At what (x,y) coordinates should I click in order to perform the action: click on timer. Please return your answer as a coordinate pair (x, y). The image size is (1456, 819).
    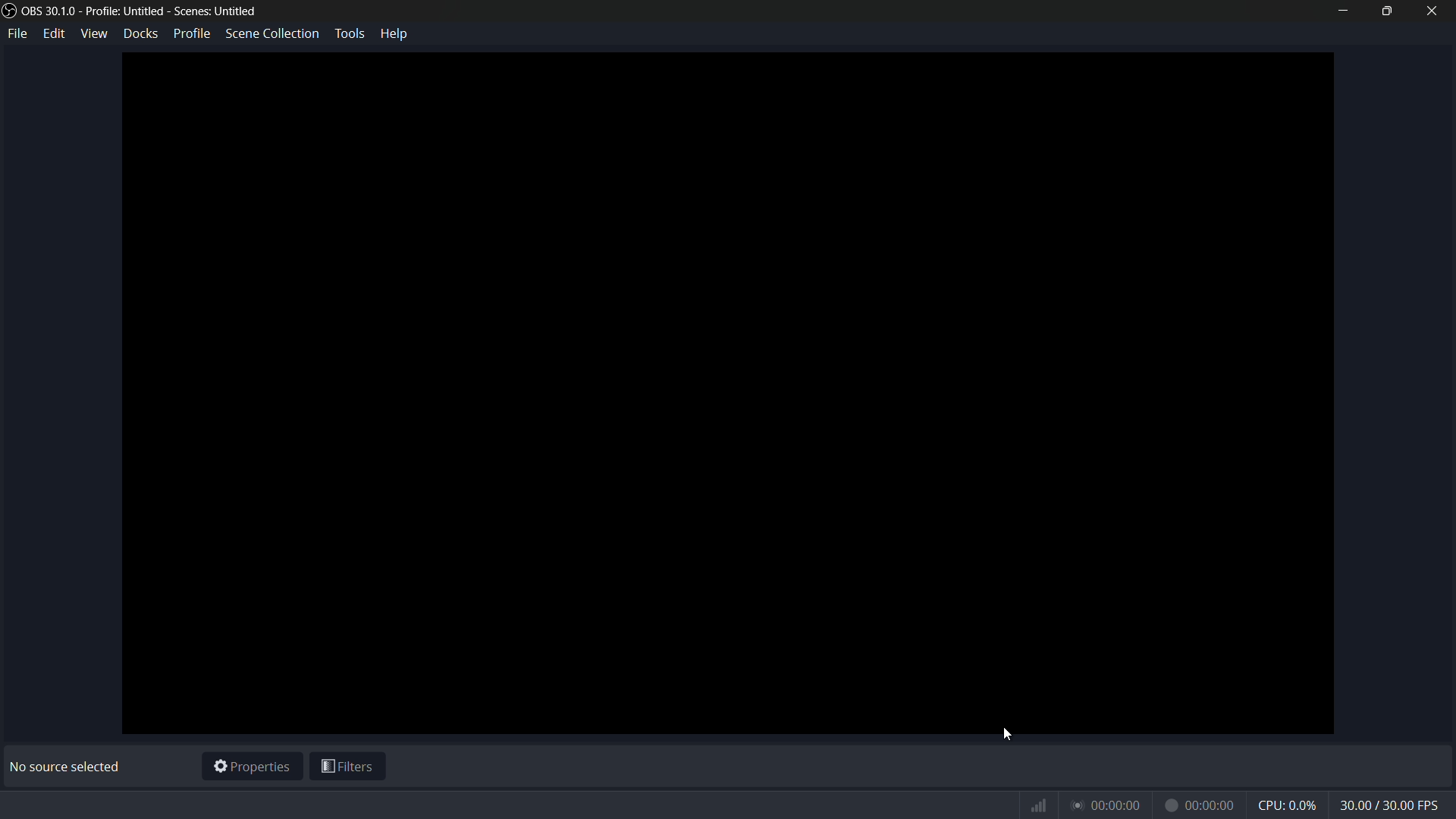
    Looking at the image, I should click on (1132, 805).